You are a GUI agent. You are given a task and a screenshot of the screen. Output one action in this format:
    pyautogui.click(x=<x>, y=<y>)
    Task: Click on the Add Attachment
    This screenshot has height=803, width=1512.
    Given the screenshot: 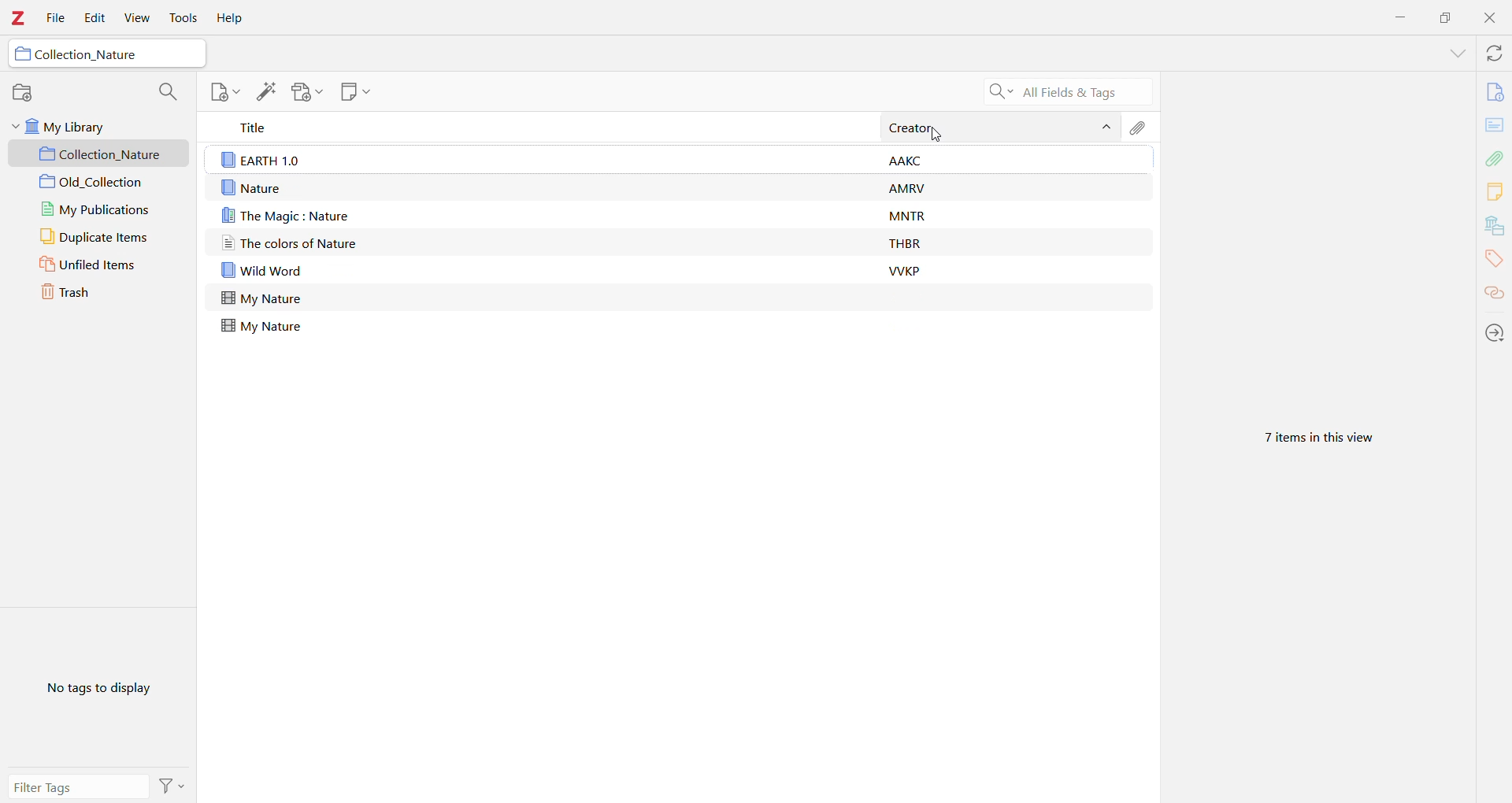 What is the action you would take?
    pyautogui.click(x=307, y=94)
    